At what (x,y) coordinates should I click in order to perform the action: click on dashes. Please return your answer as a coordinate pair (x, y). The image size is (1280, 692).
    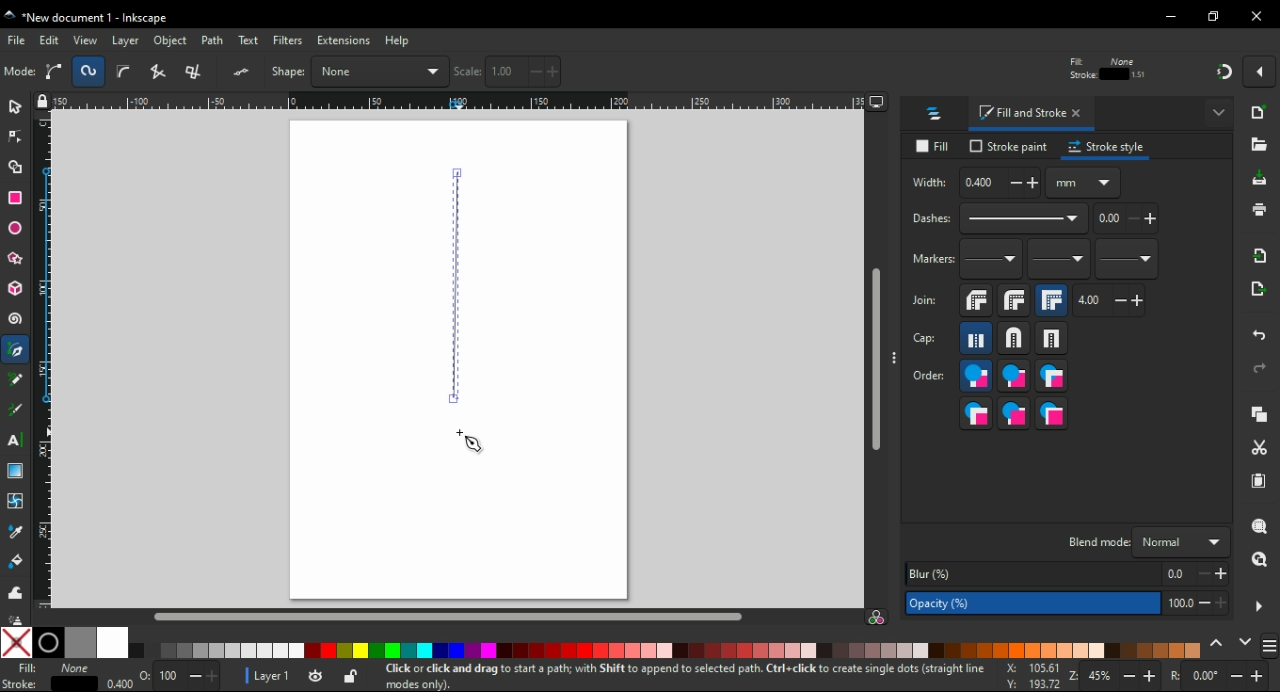
    Looking at the image, I should click on (998, 219).